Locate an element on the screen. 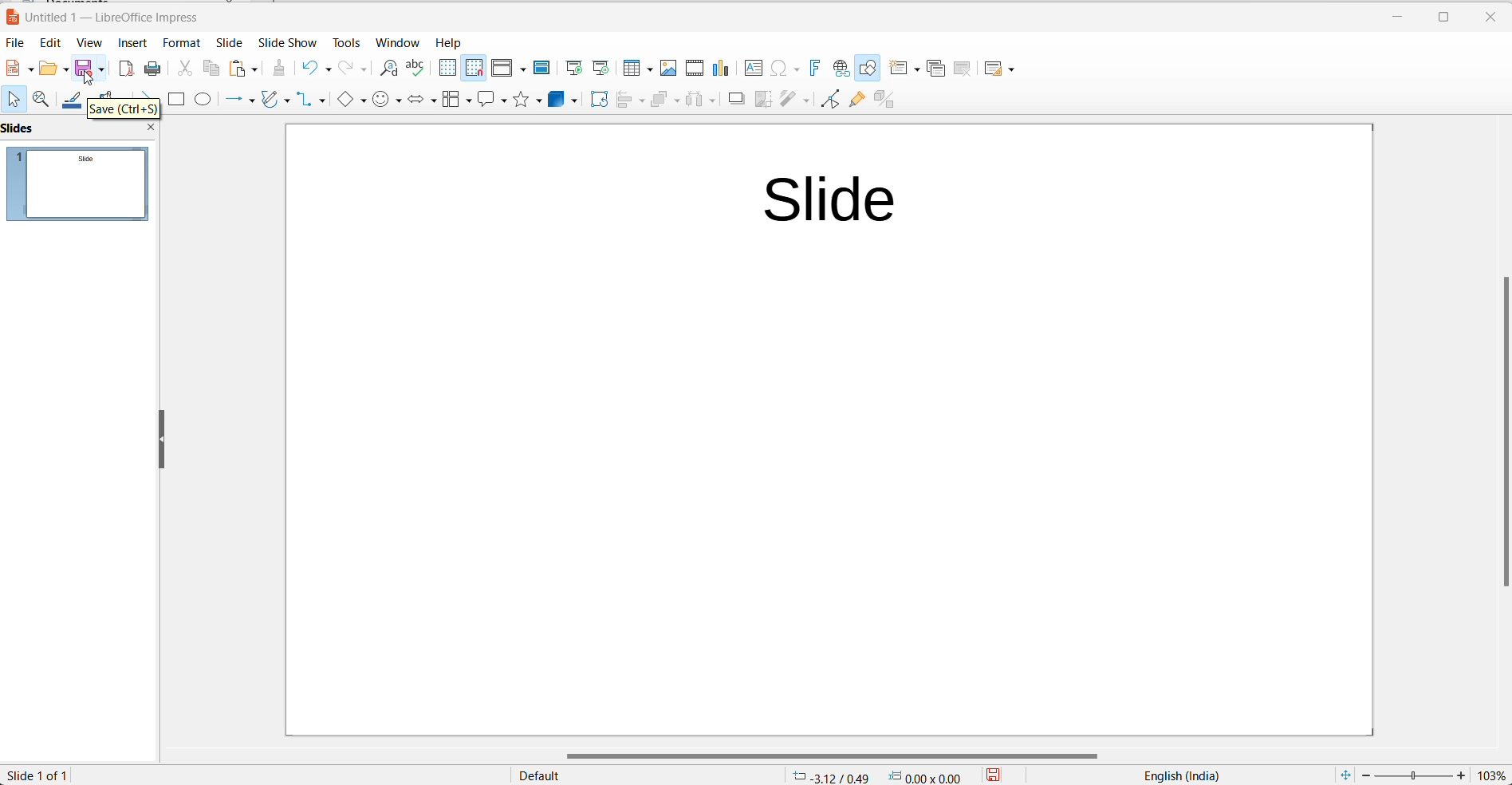 The height and width of the screenshot is (785, 1512). insert chart is located at coordinates (719, 68).